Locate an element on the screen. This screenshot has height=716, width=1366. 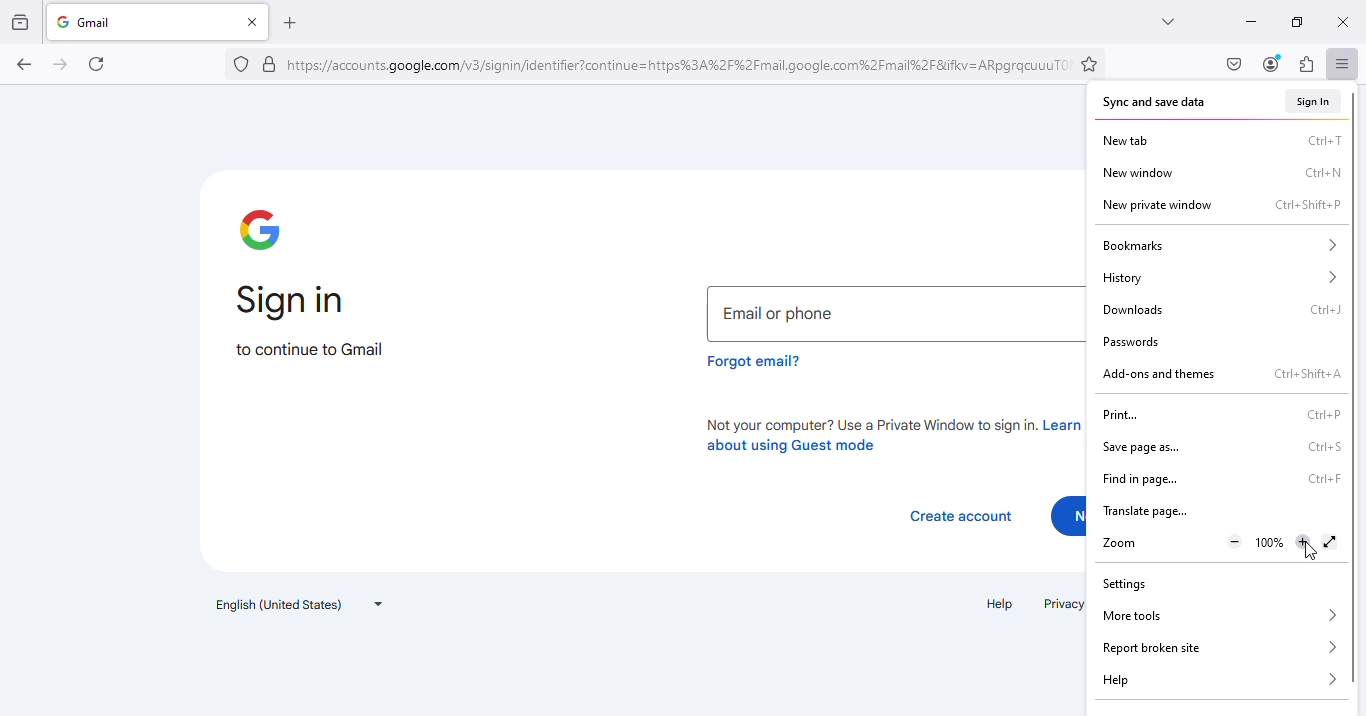
bookmark this page is located at coordinates (1090, 65).